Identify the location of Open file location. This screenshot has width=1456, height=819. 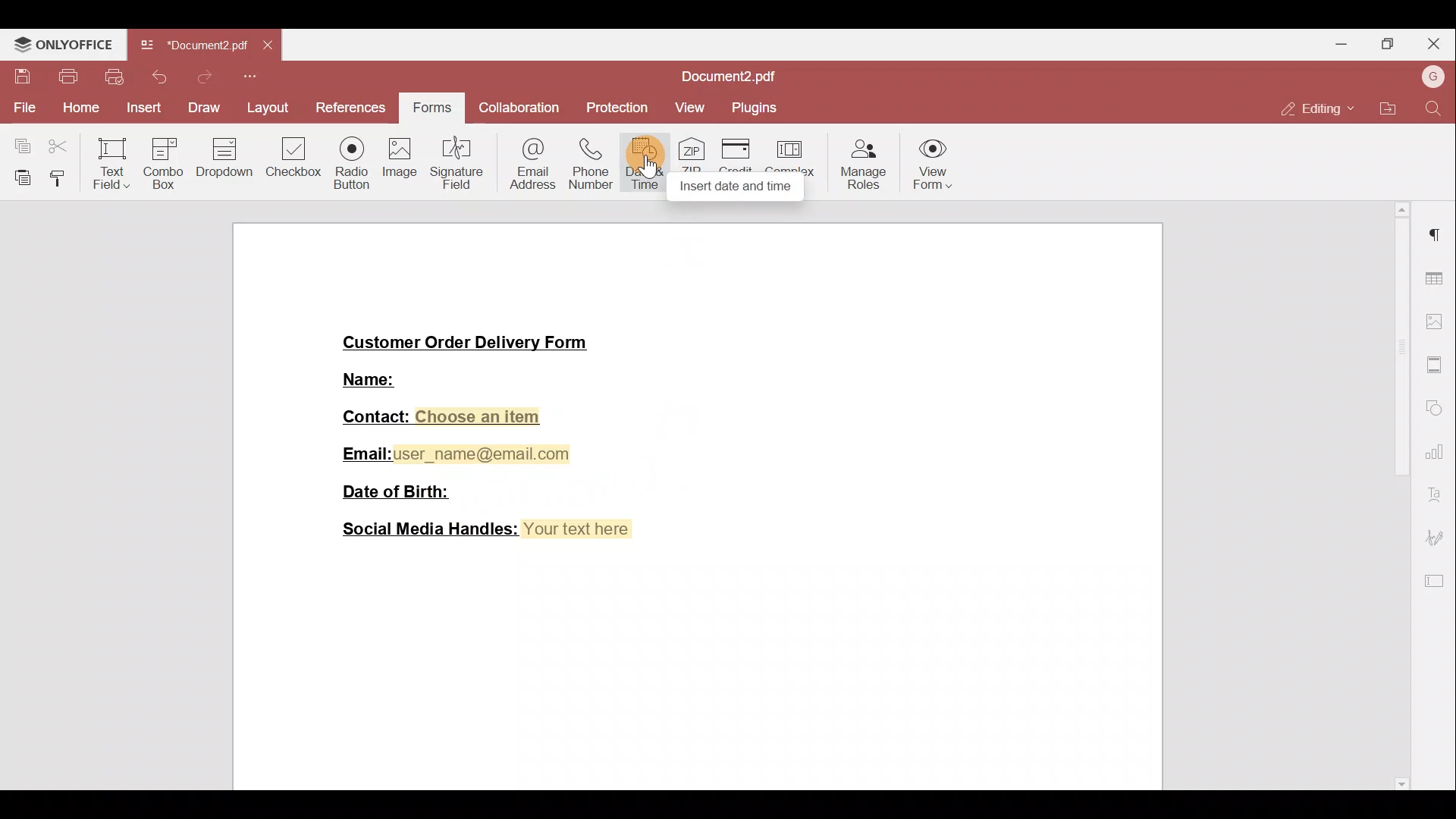
(1389, 109).